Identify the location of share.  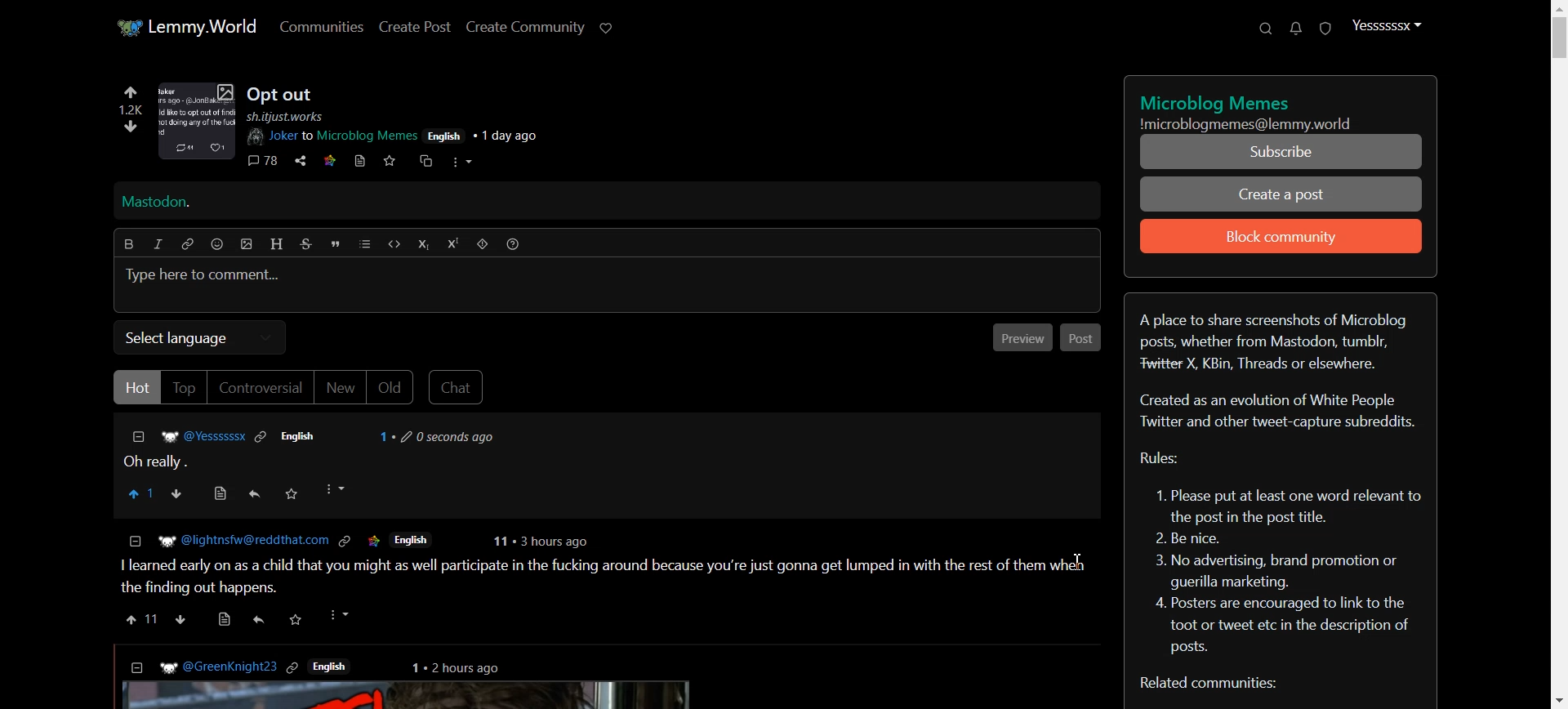
(301, 160).